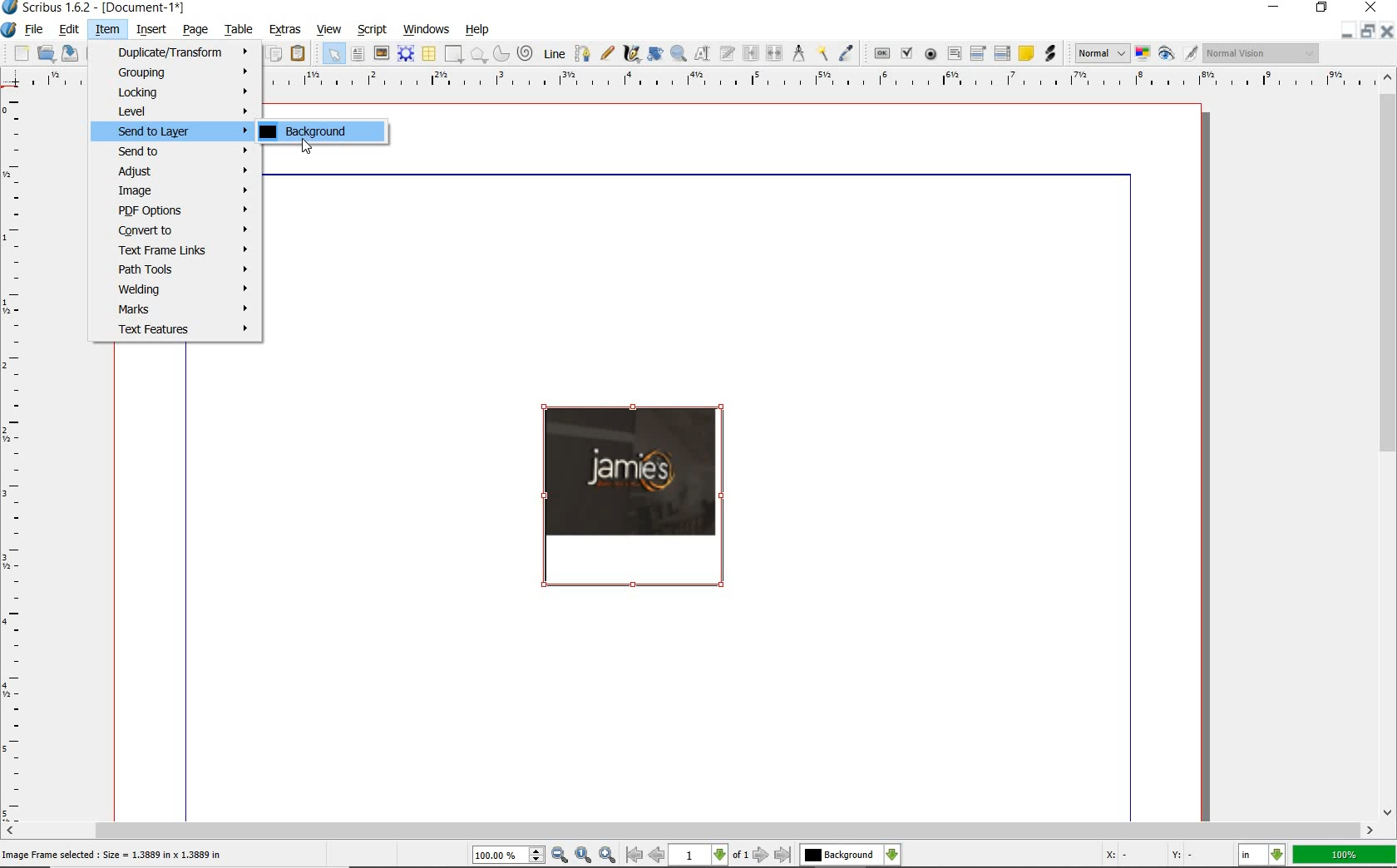  I want to click on Image, so click(635, 494).